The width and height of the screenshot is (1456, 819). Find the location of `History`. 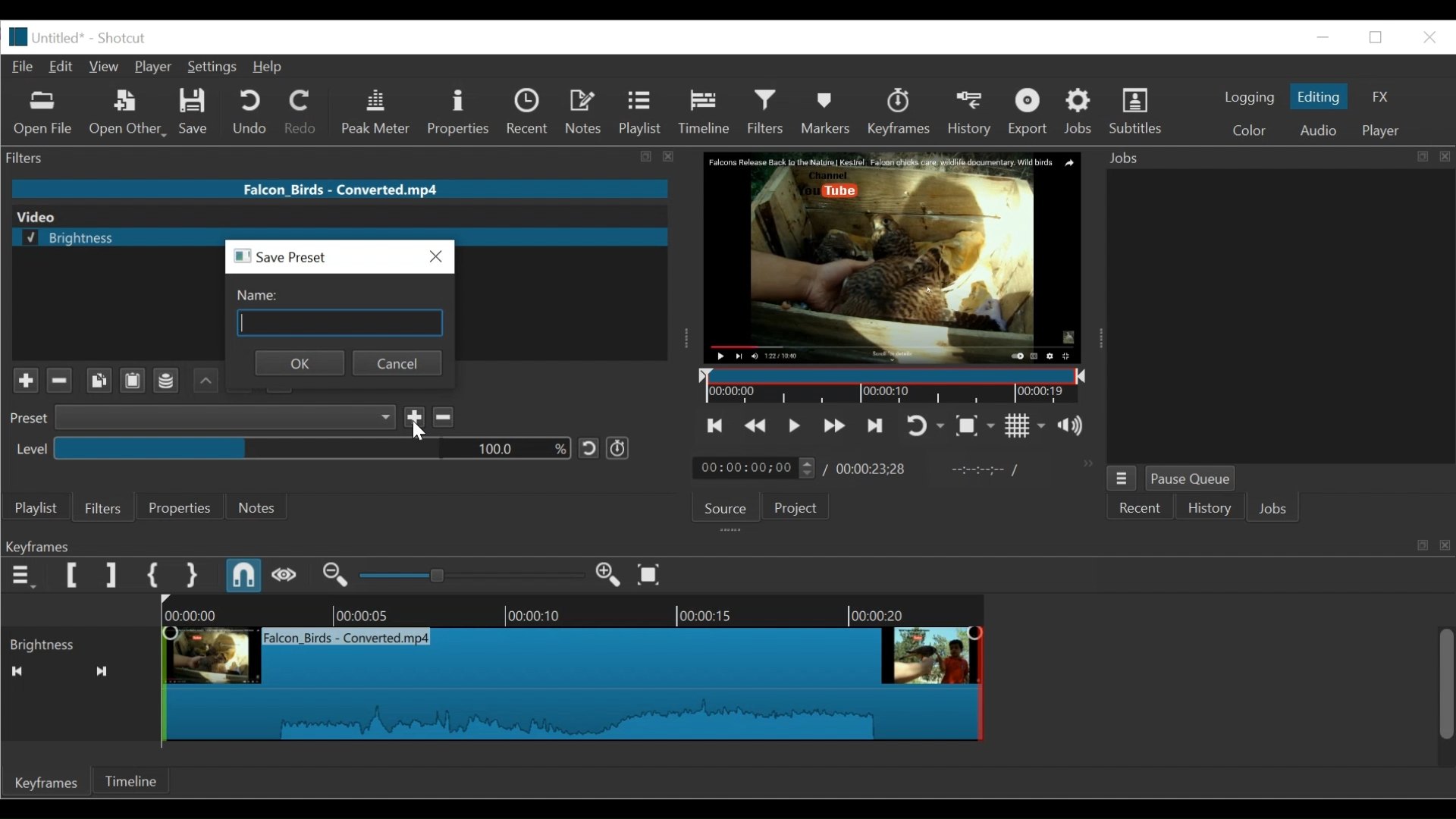

History is located at coordinates (1209, 507).